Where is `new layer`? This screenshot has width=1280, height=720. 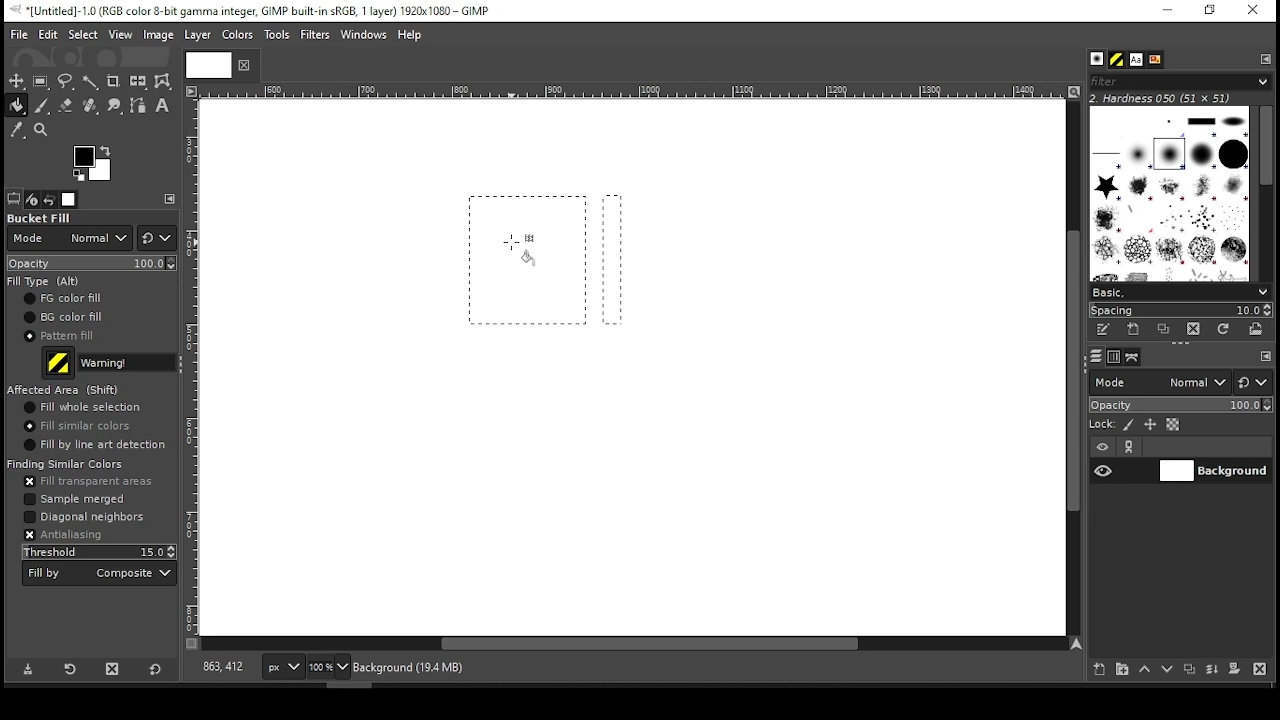 new layer is located at coordinates (1095, 667).